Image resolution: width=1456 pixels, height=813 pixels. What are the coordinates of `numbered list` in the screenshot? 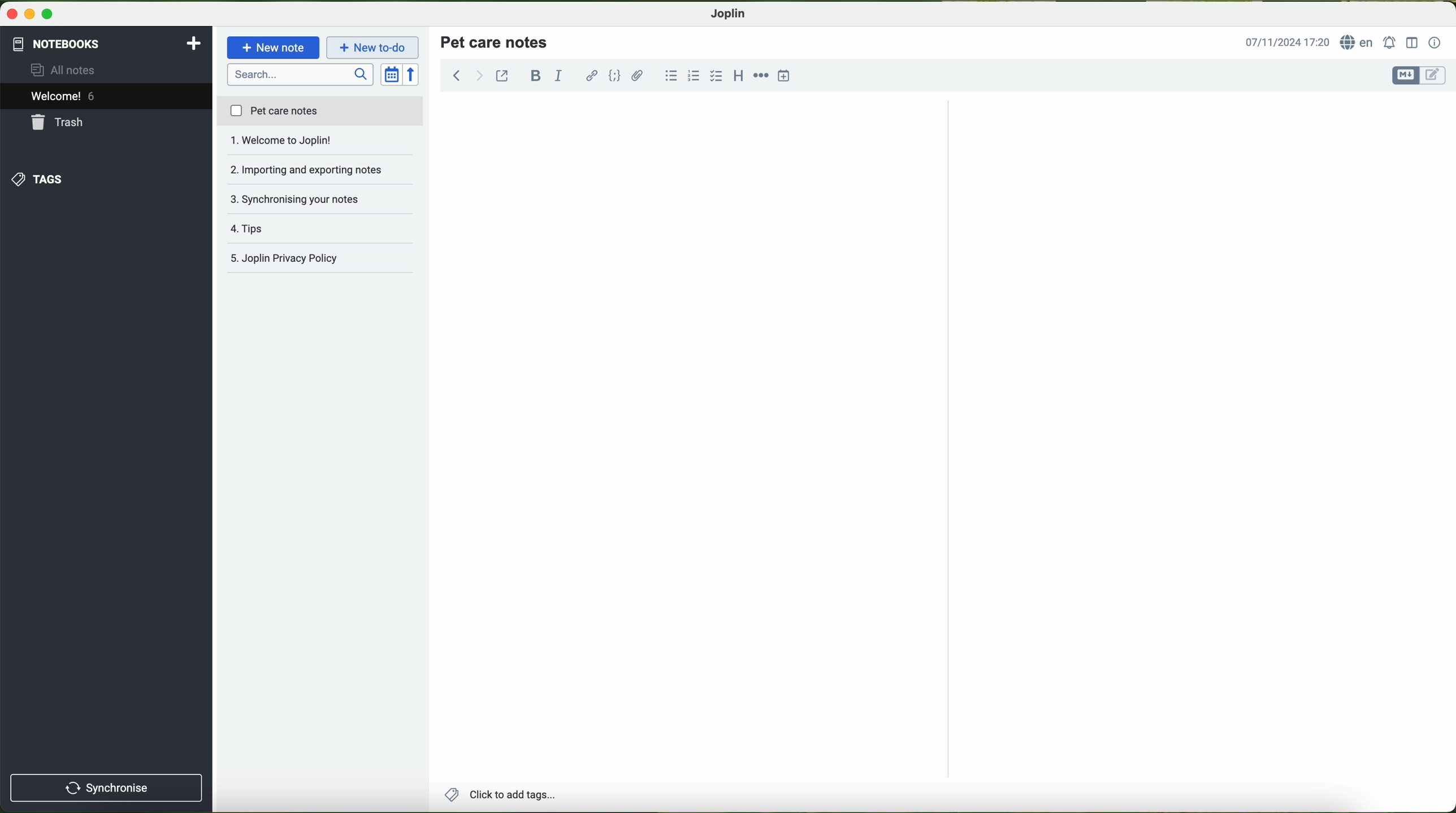 It's located at (692, 76).